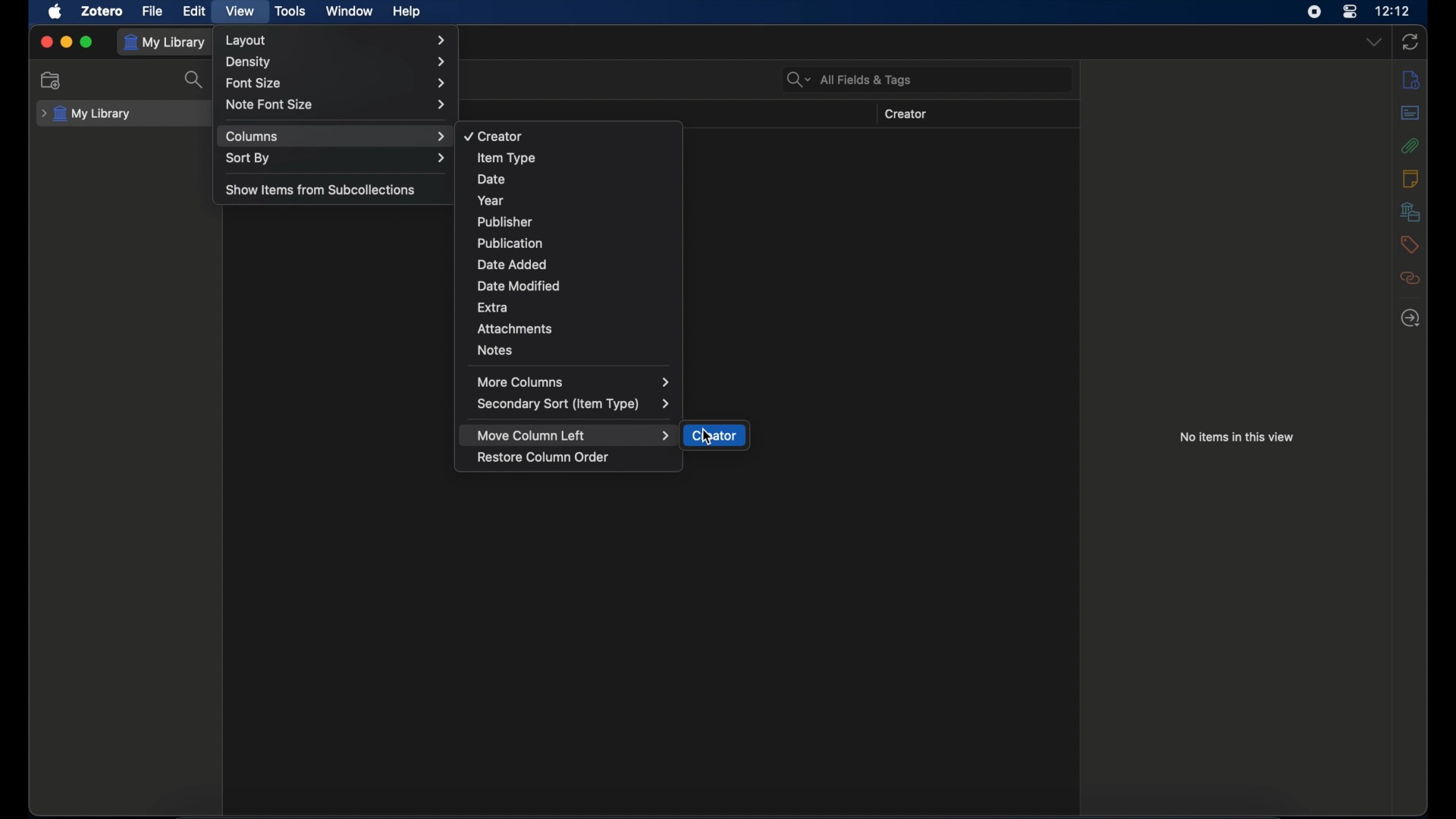 This screenshot has width=1456, height=819. What do you see at coordinates (574, 381) in the screenshot?
I see `more columns` at bounding box center [574, 381].